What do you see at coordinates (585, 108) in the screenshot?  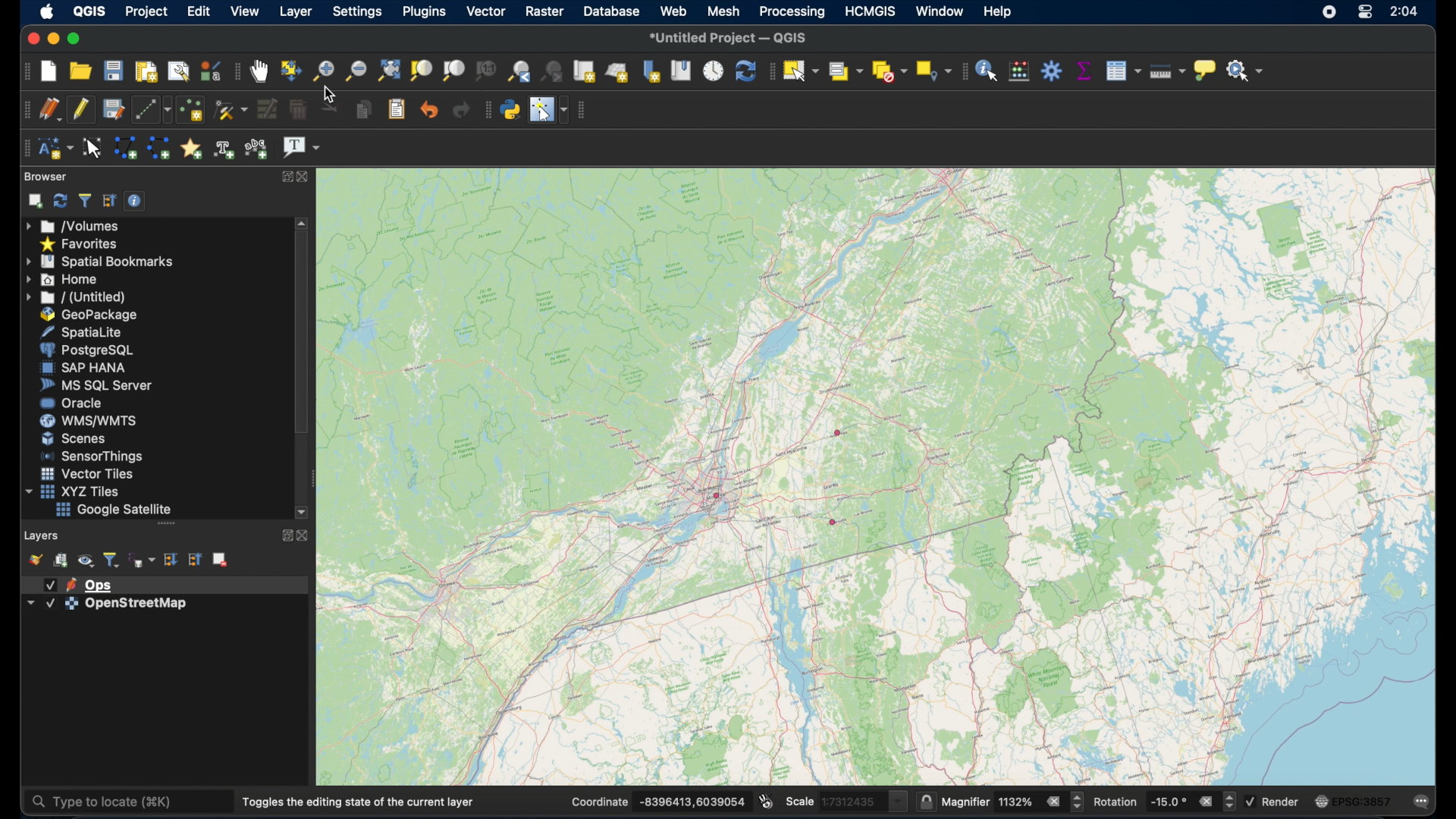 I see `vector toolbar` at bounding box center [585, 108].